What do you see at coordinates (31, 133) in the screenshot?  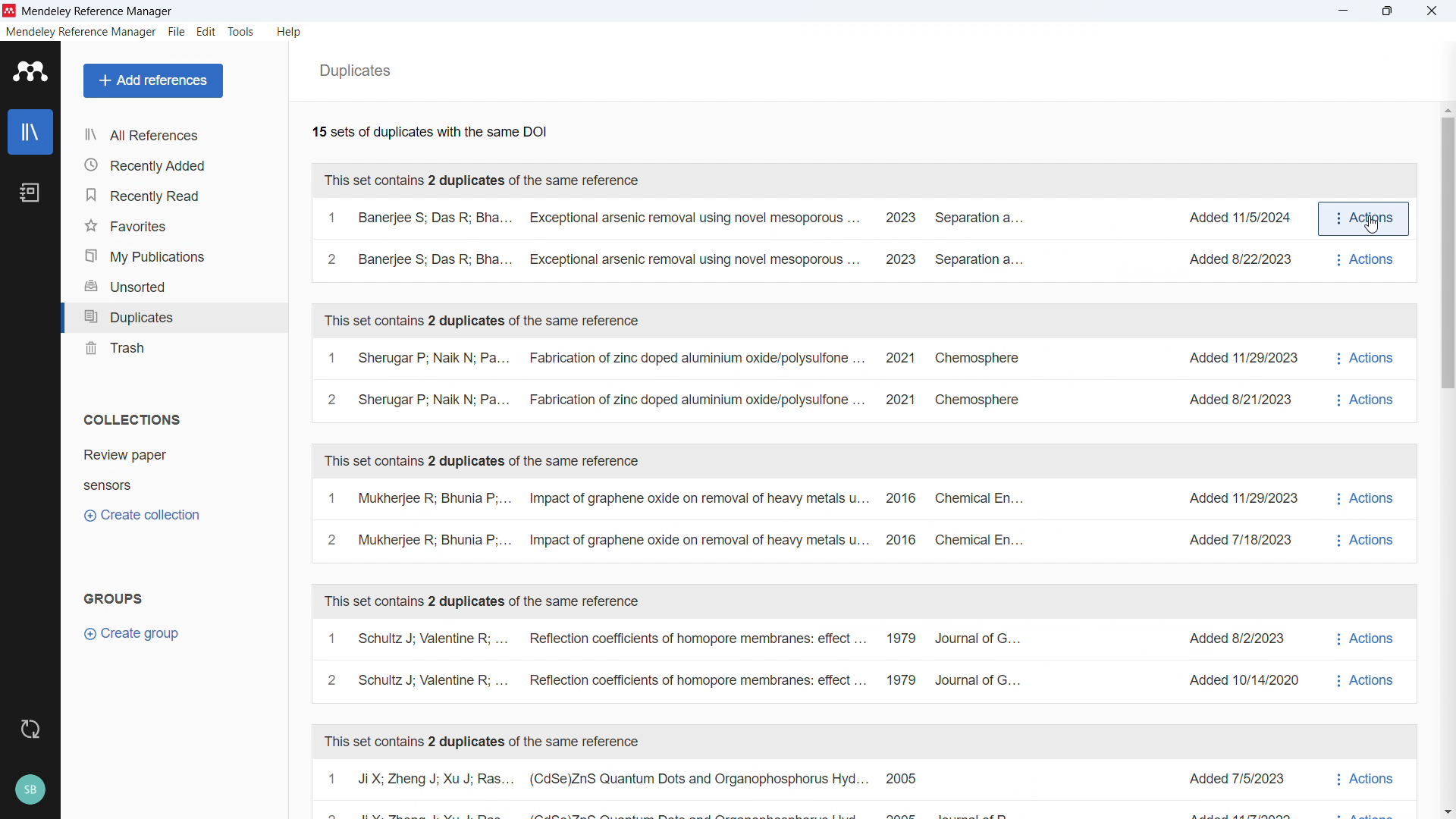 I see `Library ` at bounding box center [31, 133].